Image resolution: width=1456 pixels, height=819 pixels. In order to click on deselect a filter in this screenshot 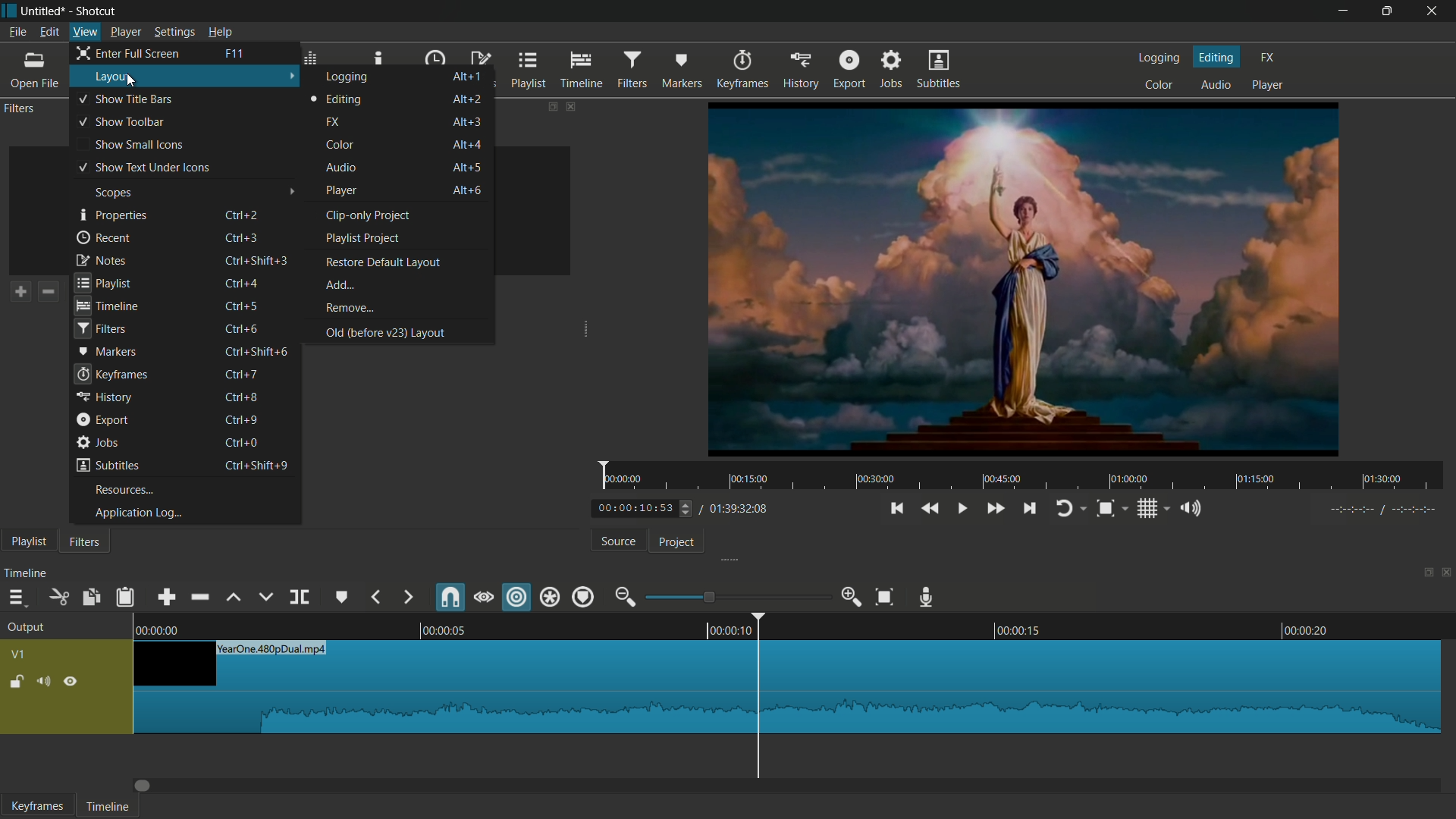, I will do `click(230, 292)`.